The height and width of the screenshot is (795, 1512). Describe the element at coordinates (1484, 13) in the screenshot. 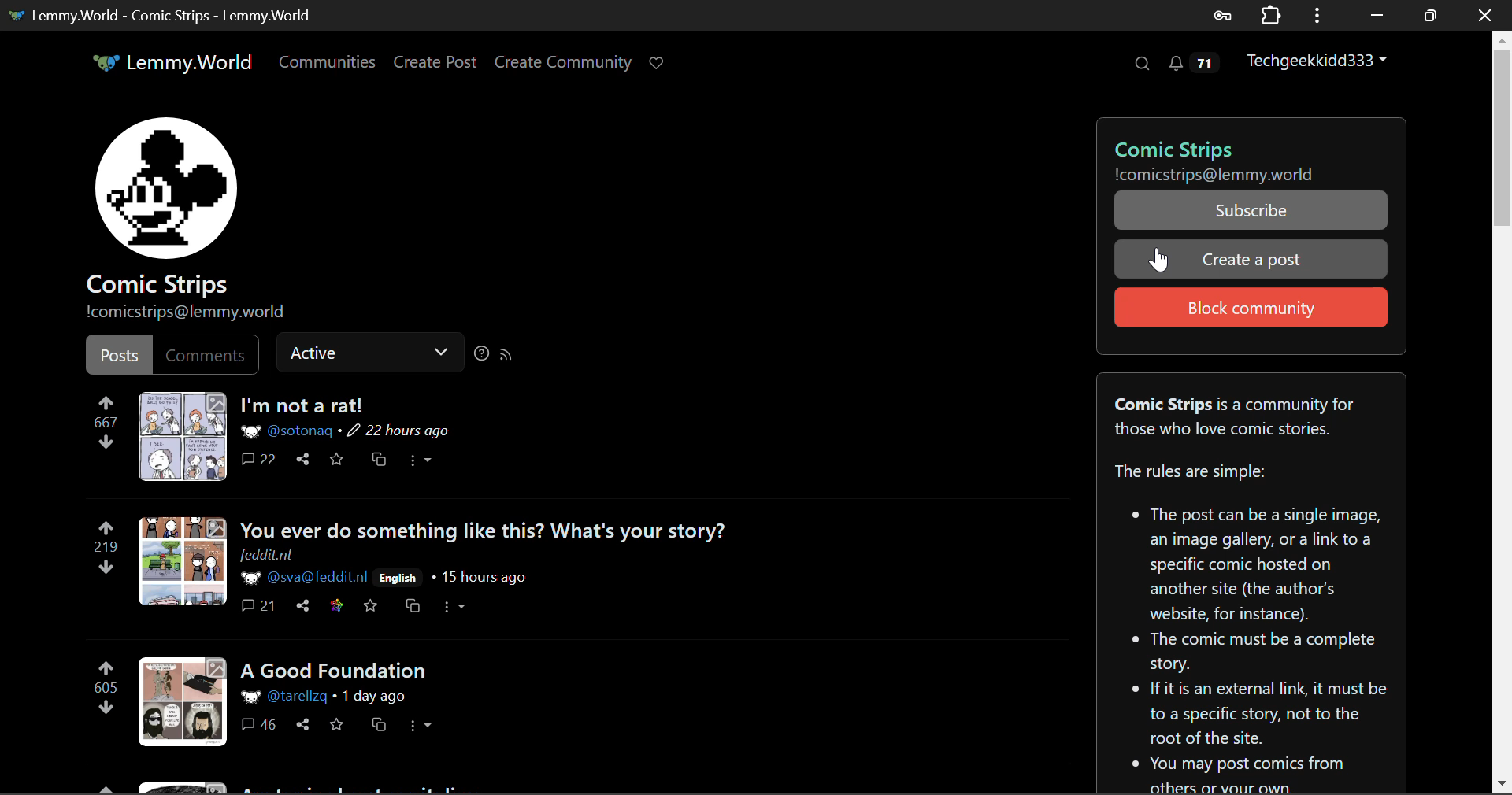

I see `Close Window` at that location.